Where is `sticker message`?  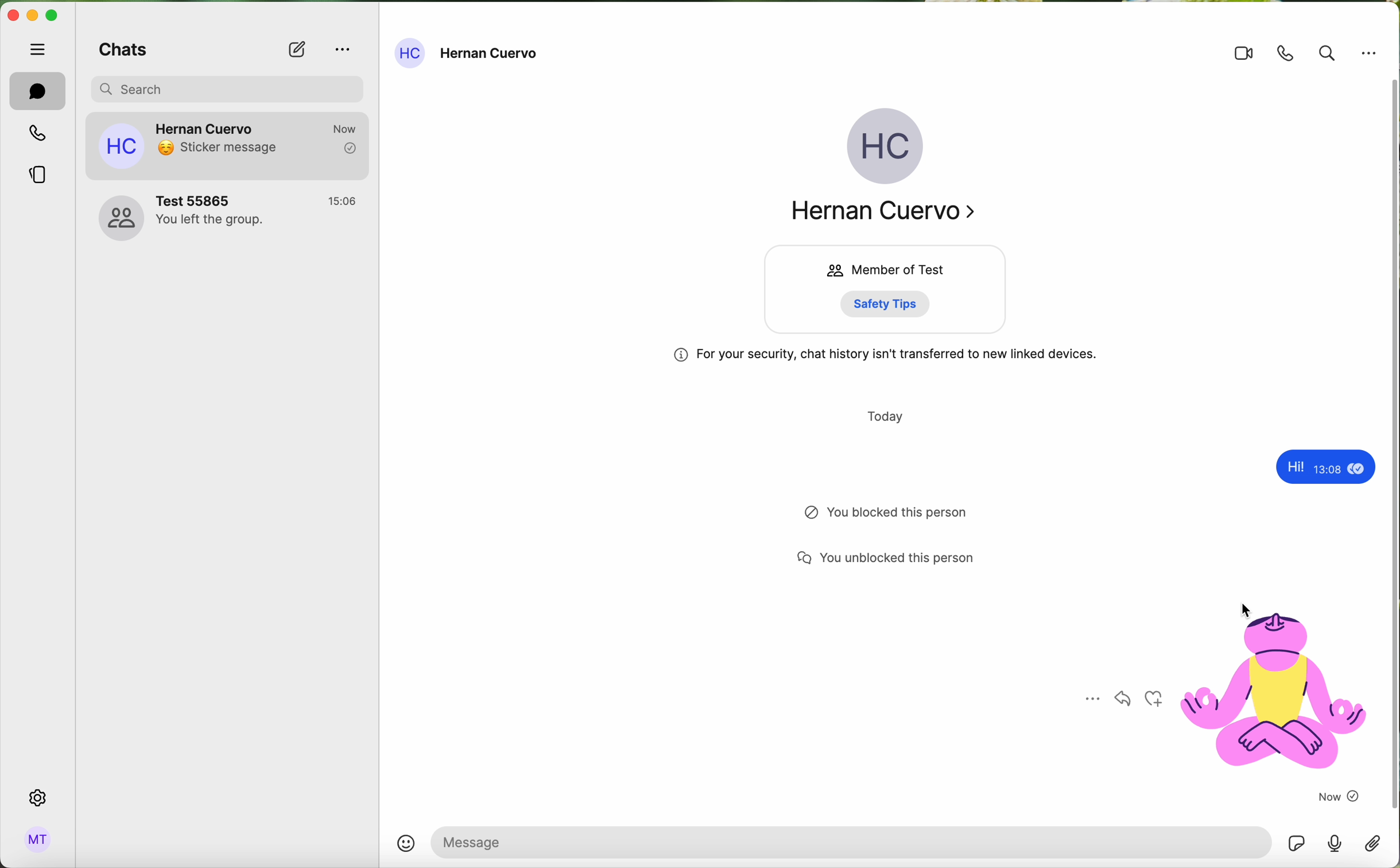
sticker message is located at coordinates (1225, 695).